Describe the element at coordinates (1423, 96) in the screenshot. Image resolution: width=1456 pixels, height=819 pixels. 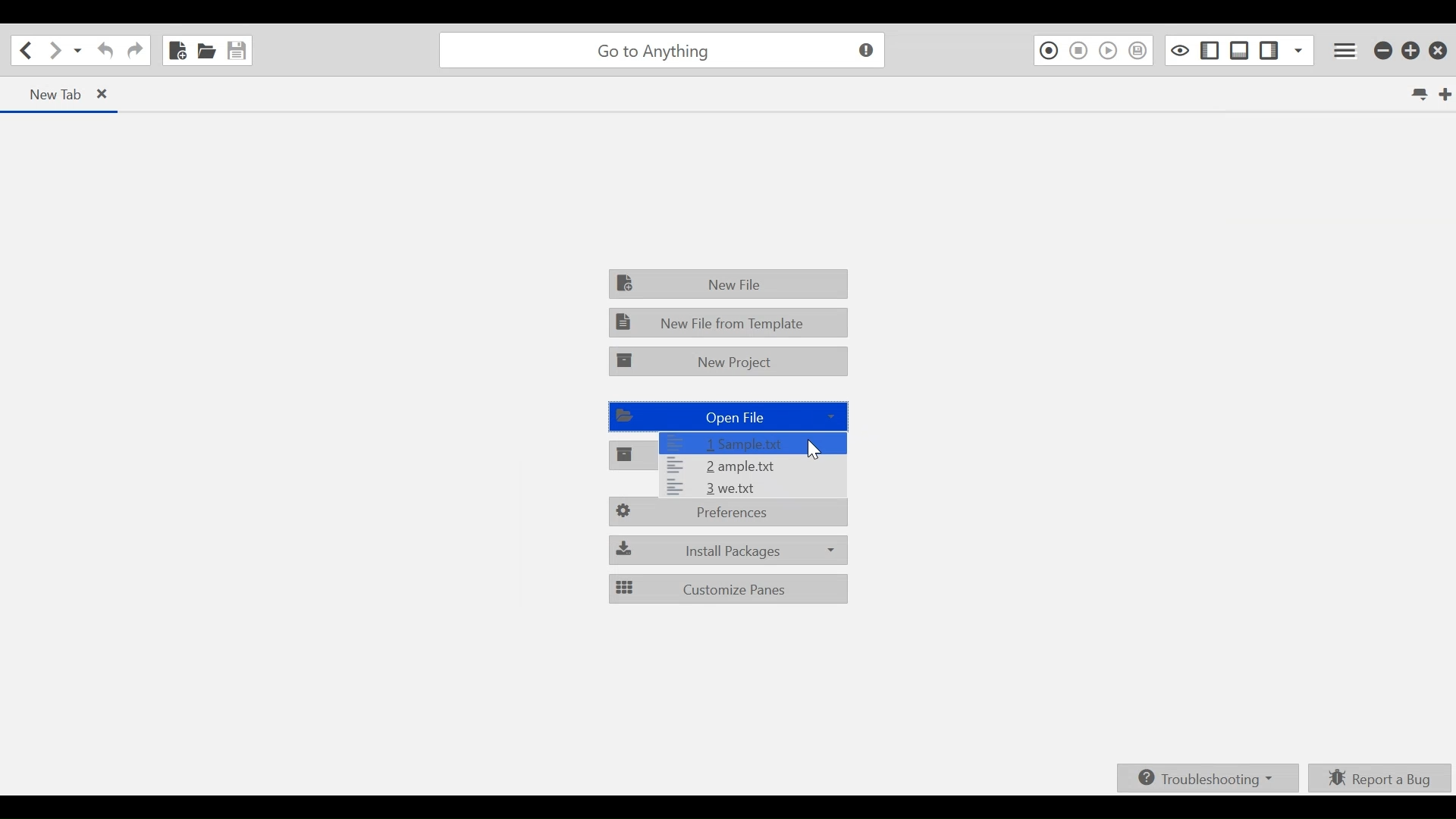
I see `List all tabs` at that location.